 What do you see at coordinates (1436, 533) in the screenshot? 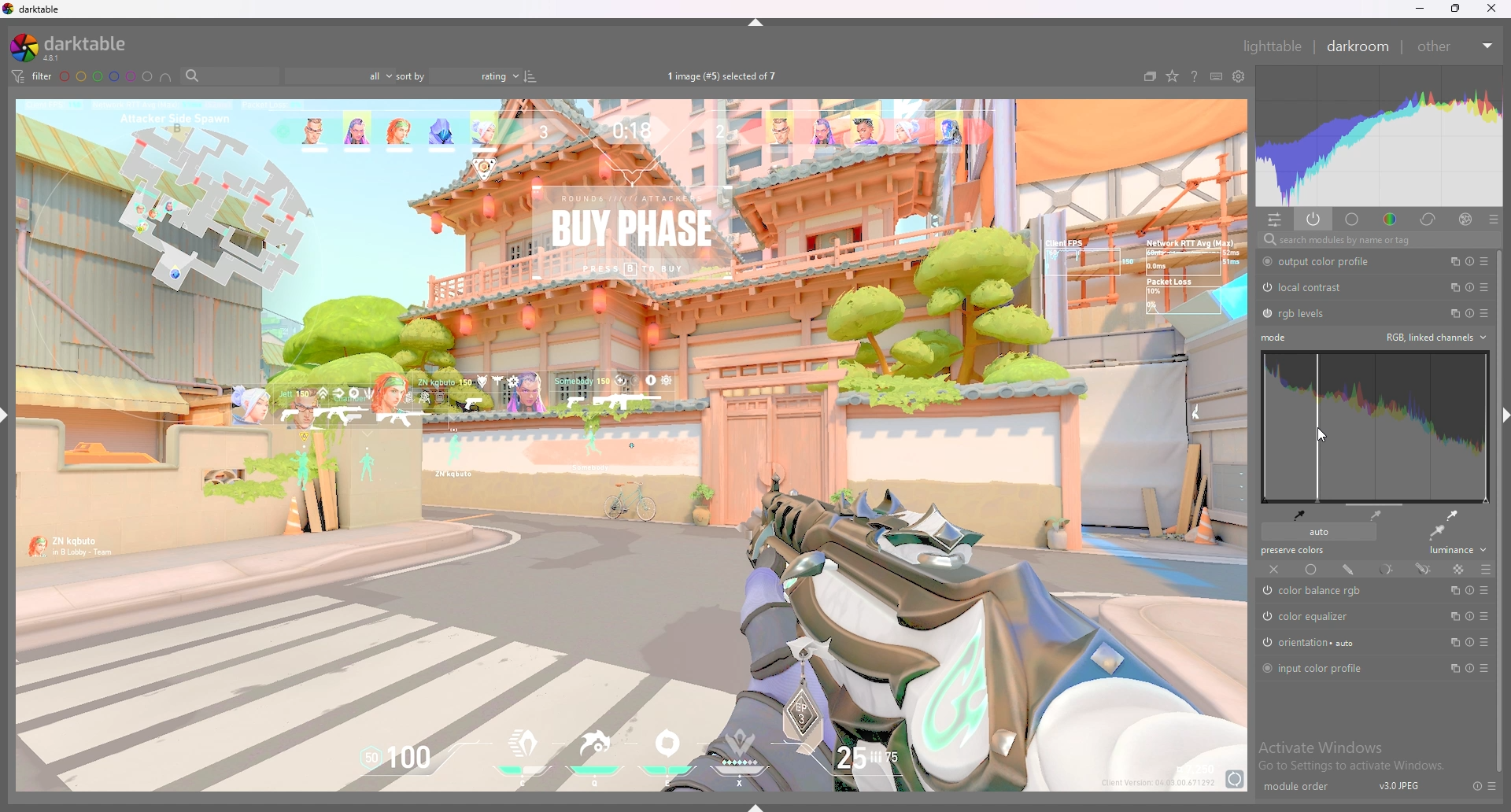
I see `apply auto` at bounding box center [1436, 533].